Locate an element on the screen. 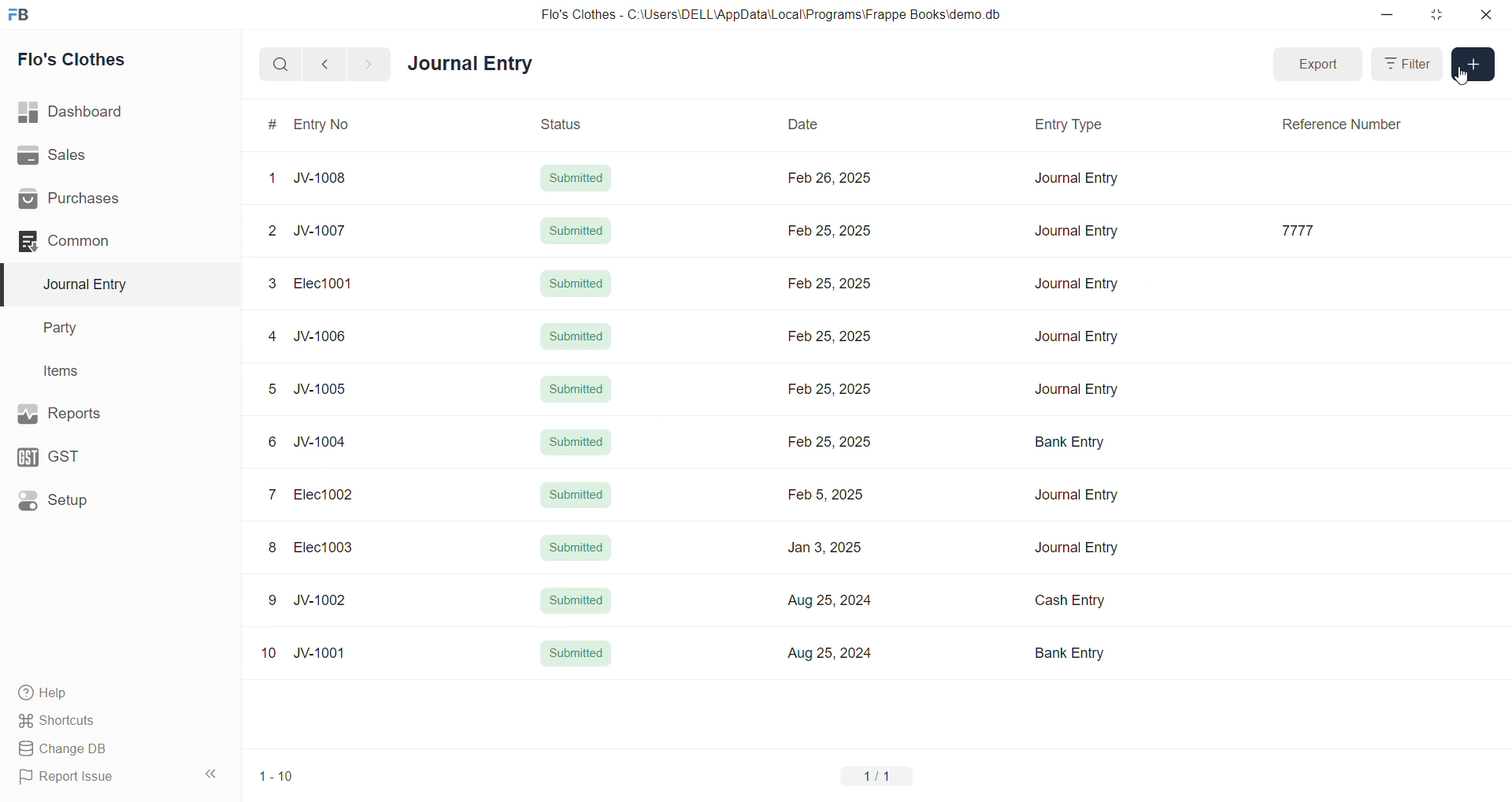 Image resolution: width=1512 pixels, height=802 pixels. Aug 25, 2024 is located at coordinates (837, 655).